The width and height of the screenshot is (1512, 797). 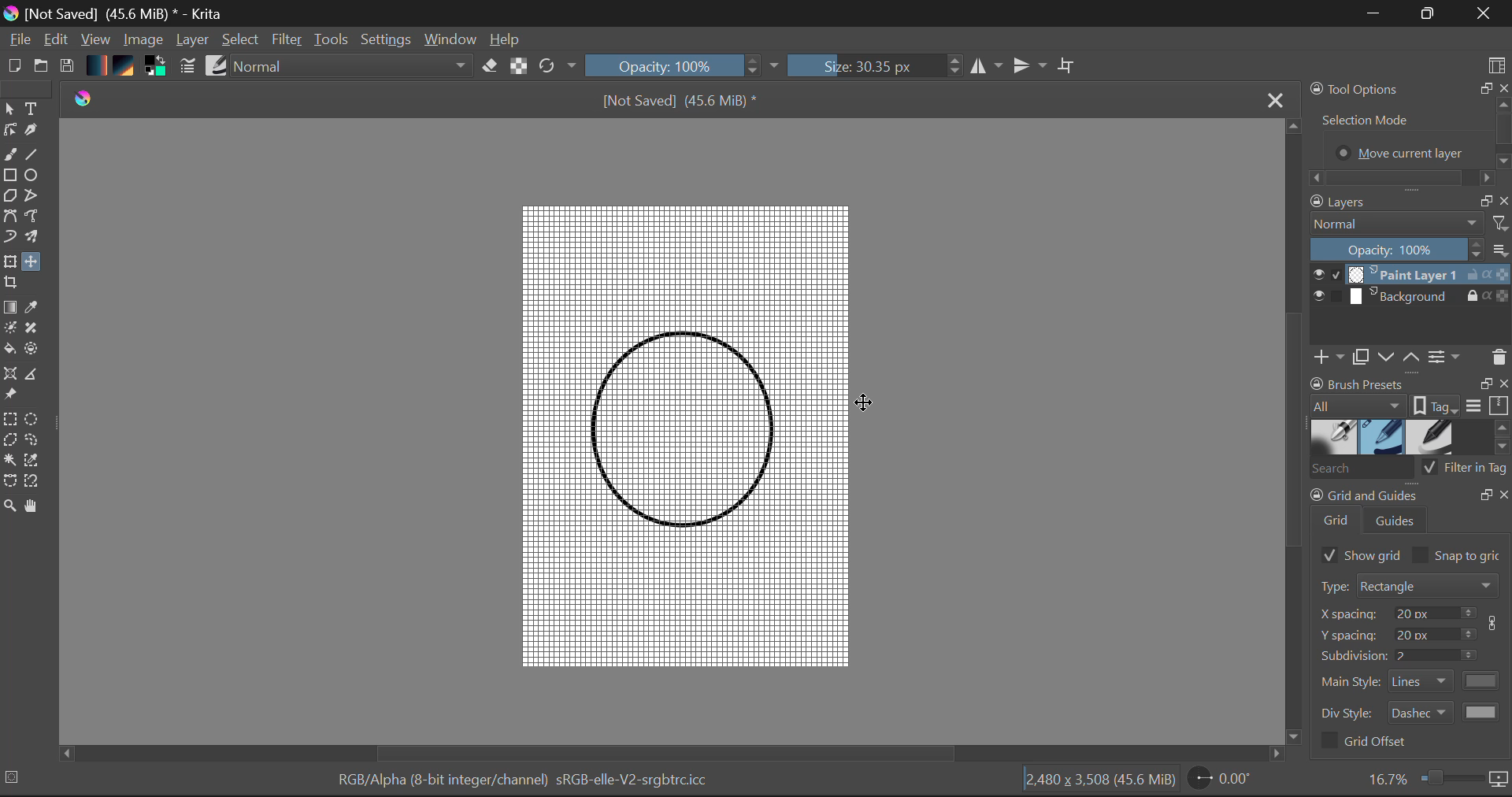 What do you see at coordinates (10, 395) in the screenshot?
I see `Reference Images` at bounding box center [10, 395].